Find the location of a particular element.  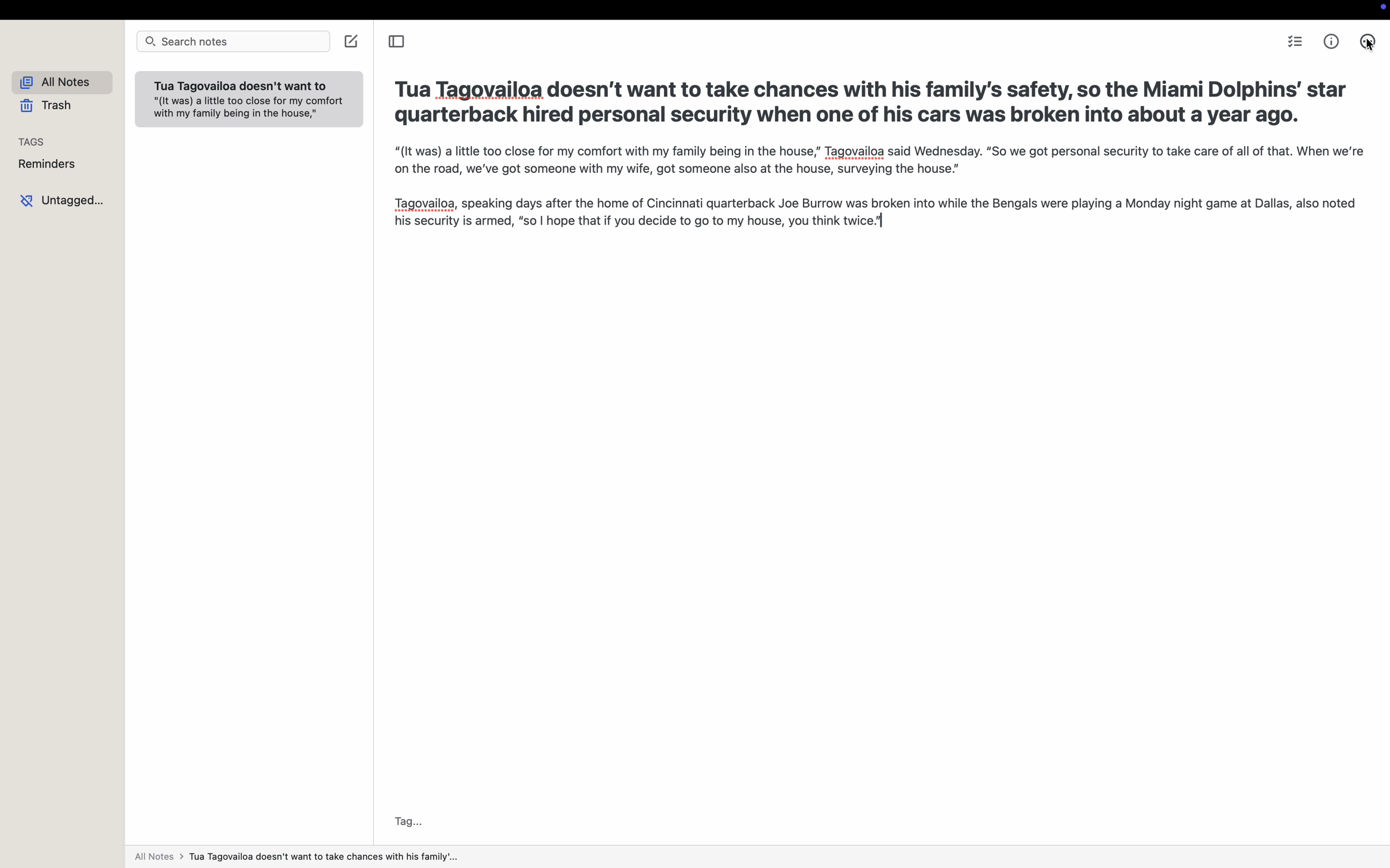

checklist is located at coordinates (1294, 43).